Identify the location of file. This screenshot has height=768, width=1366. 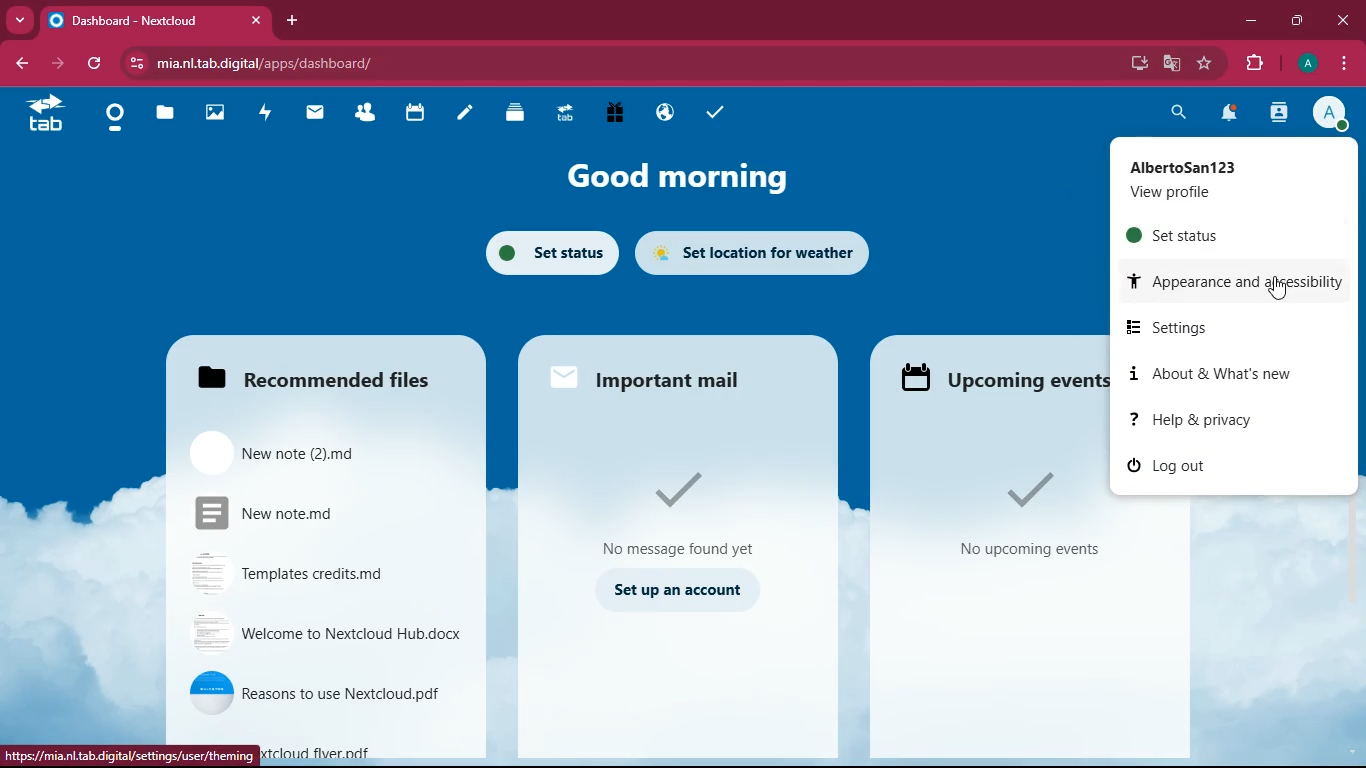
(306, 513).